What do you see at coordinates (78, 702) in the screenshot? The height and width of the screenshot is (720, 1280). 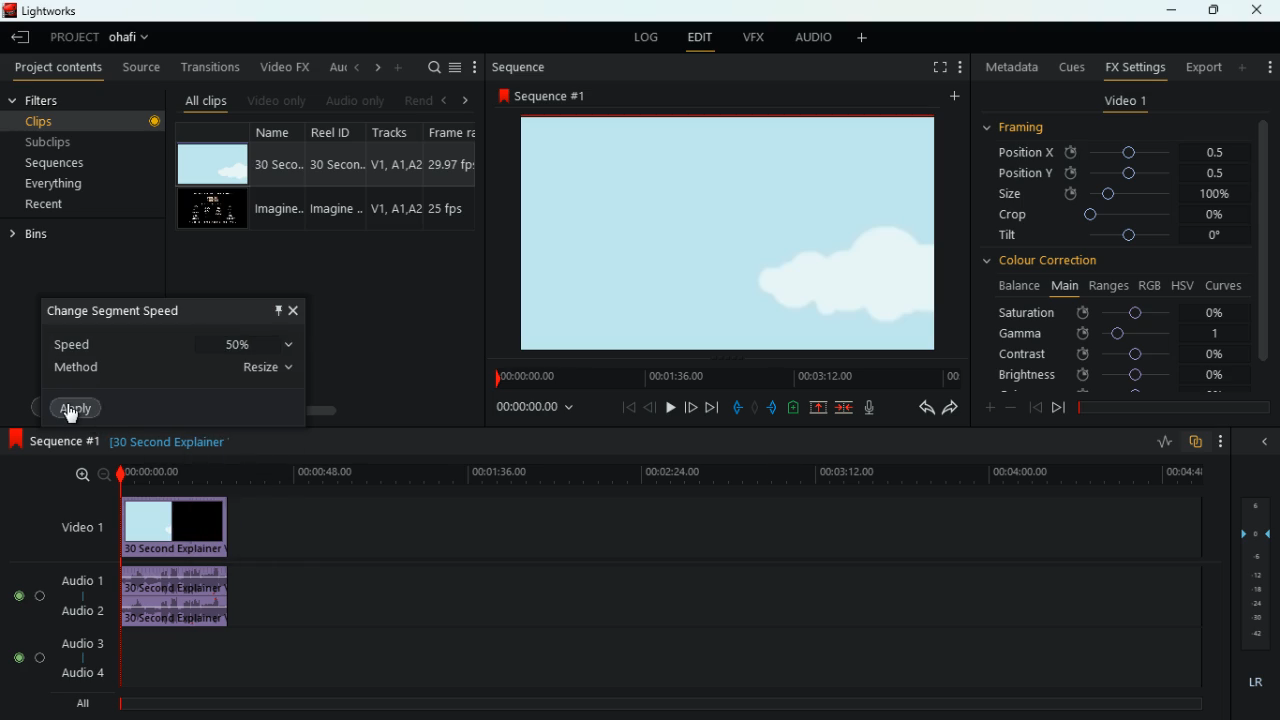 I see `all` at bounding box center [78, 702].